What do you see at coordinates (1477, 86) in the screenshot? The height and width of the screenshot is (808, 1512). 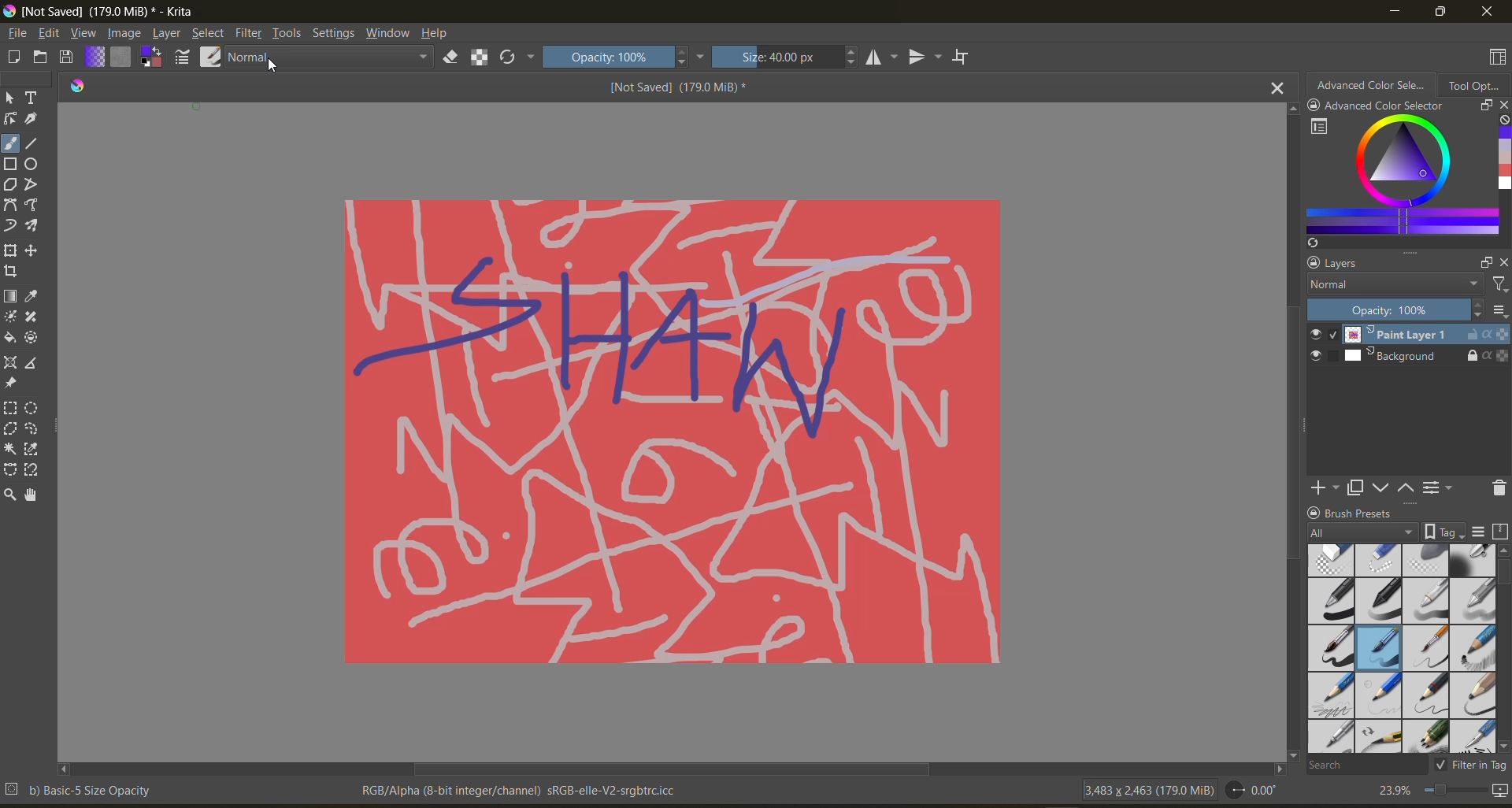 I see `tool options` at bounding box center [1477, 86].